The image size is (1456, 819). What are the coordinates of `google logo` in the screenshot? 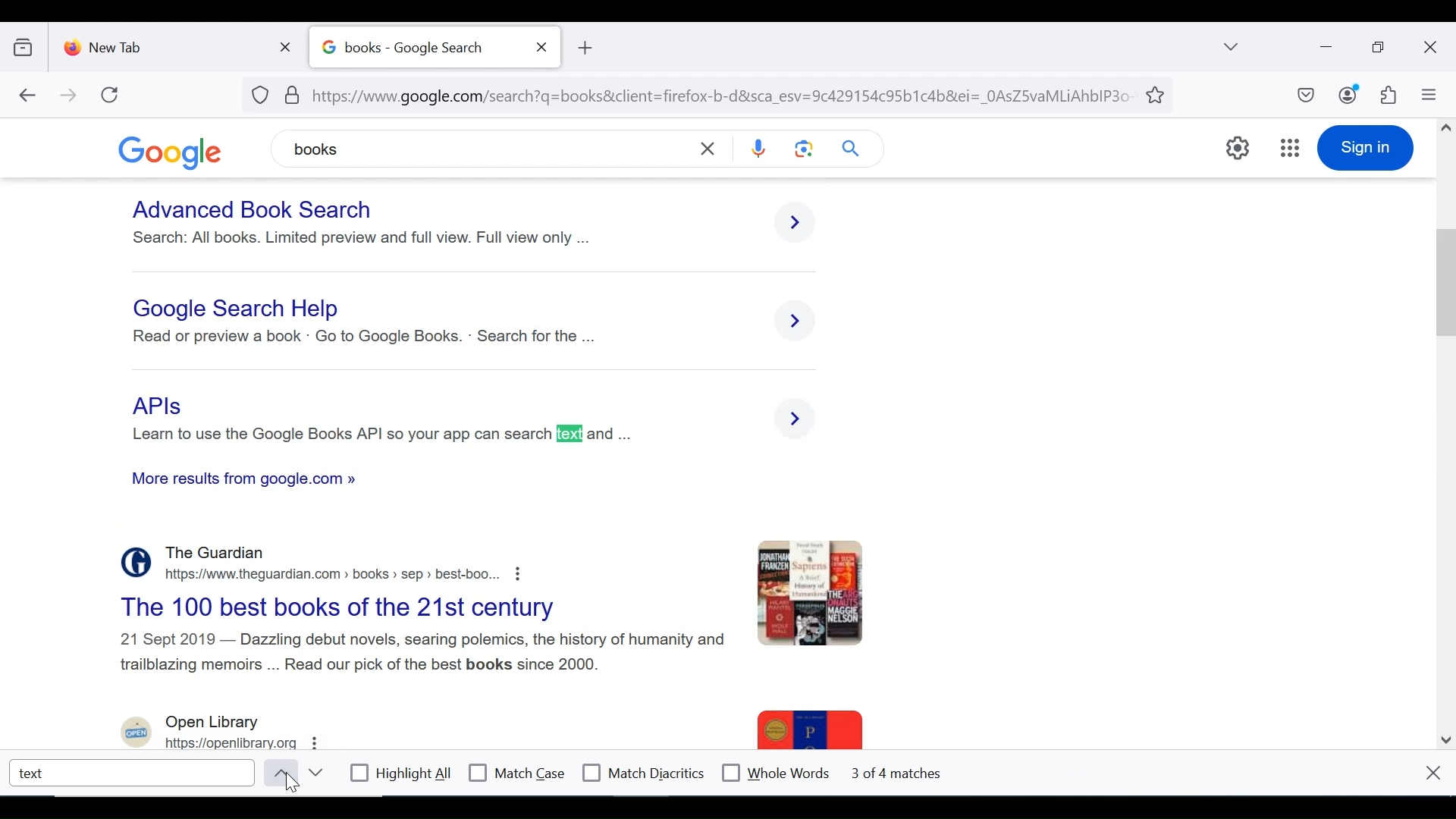 It's located at (181, 152).